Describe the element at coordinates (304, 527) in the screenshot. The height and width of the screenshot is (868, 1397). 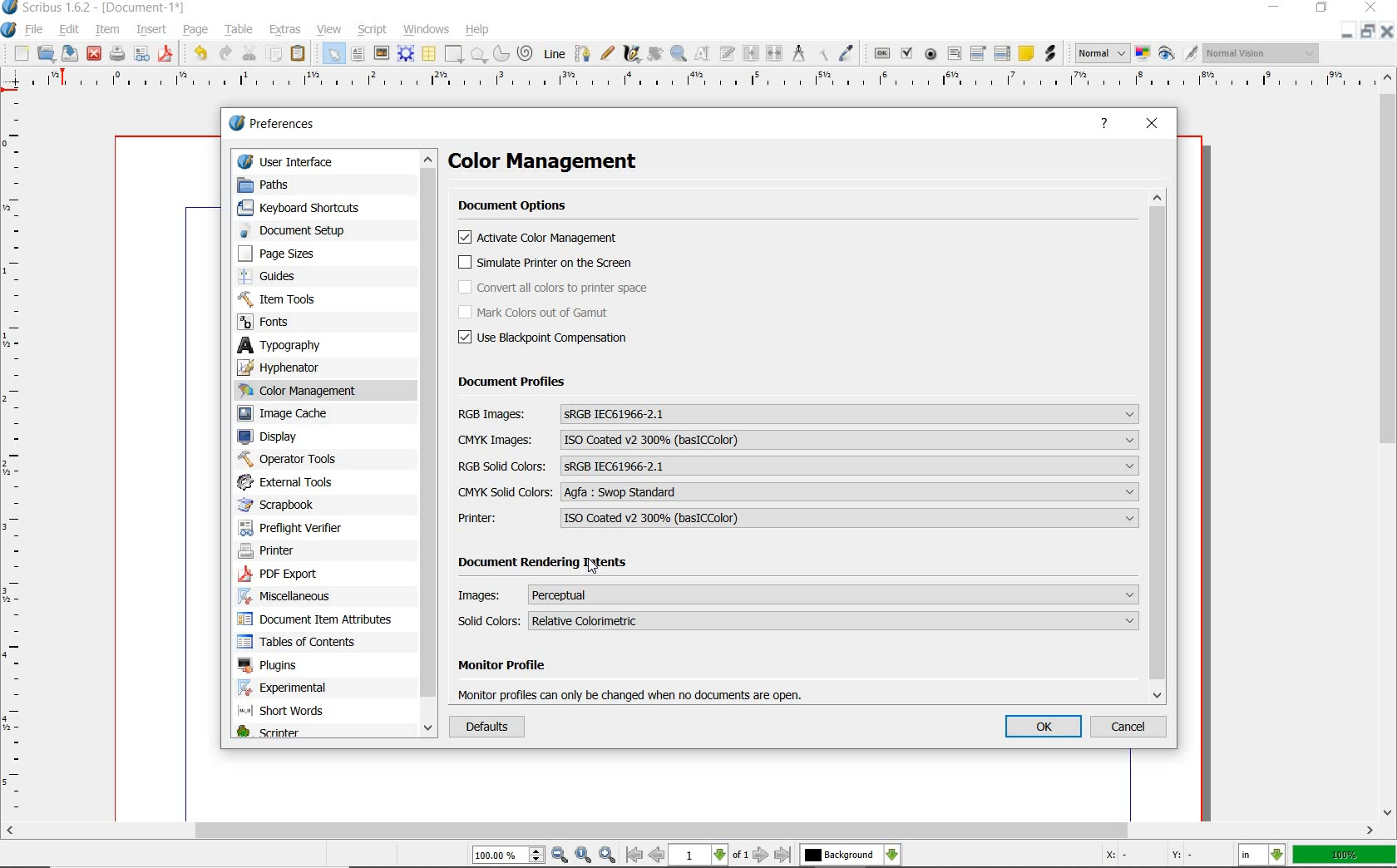
I see `preflight verifier` at that location.